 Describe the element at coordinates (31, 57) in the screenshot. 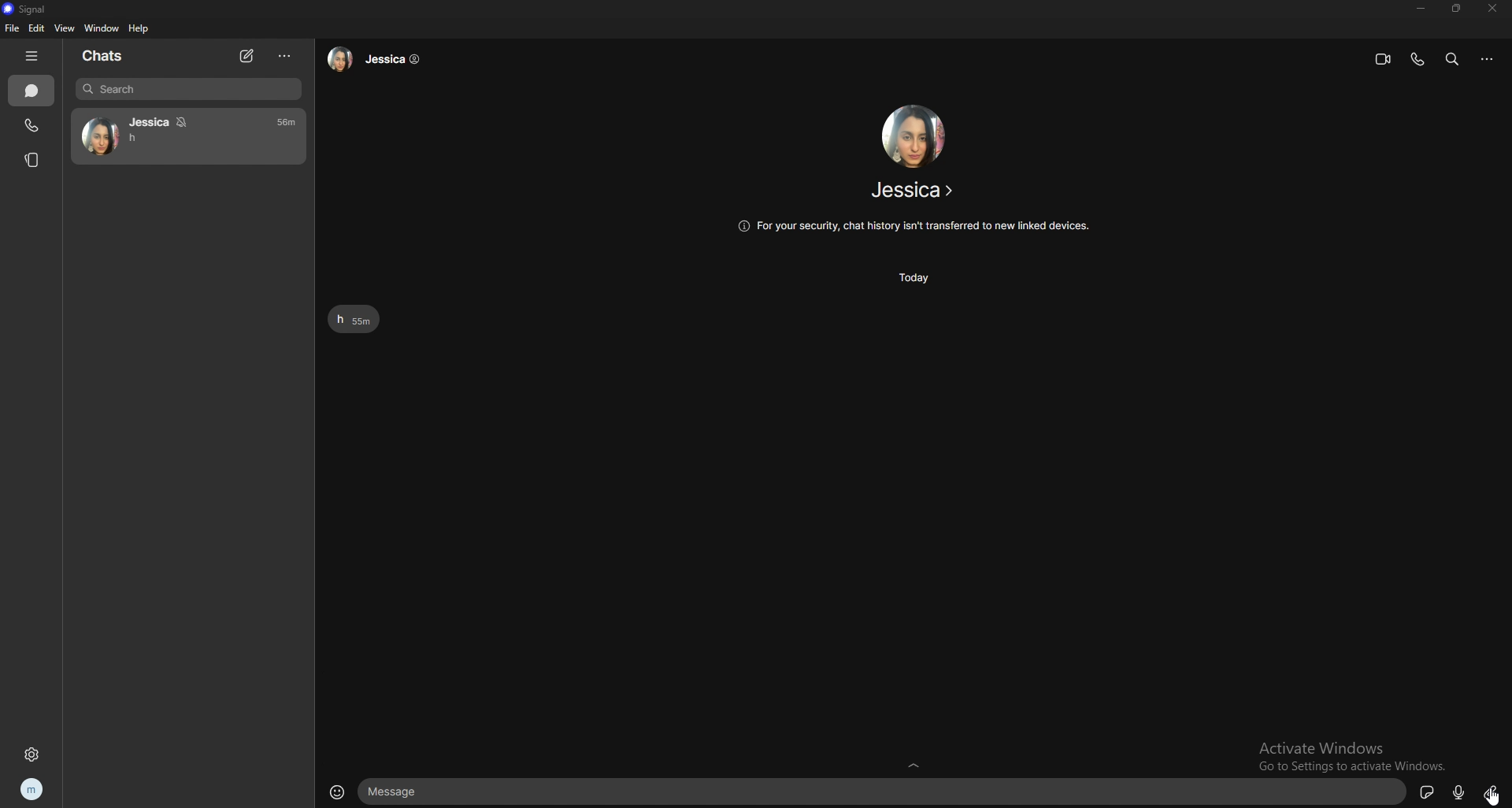

I see `hide tab` at that location.